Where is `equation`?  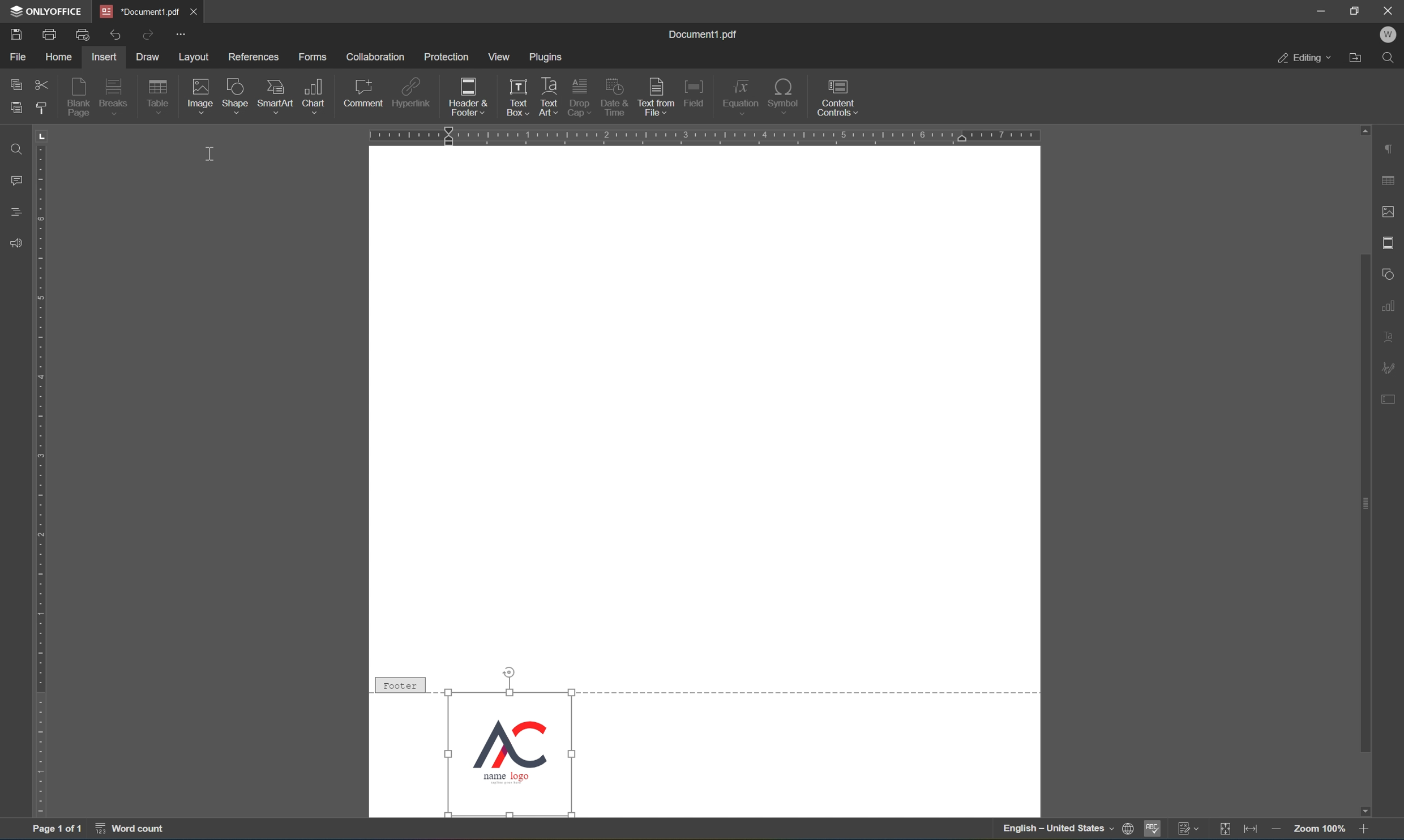
equation is located at coordinates (742, 96).